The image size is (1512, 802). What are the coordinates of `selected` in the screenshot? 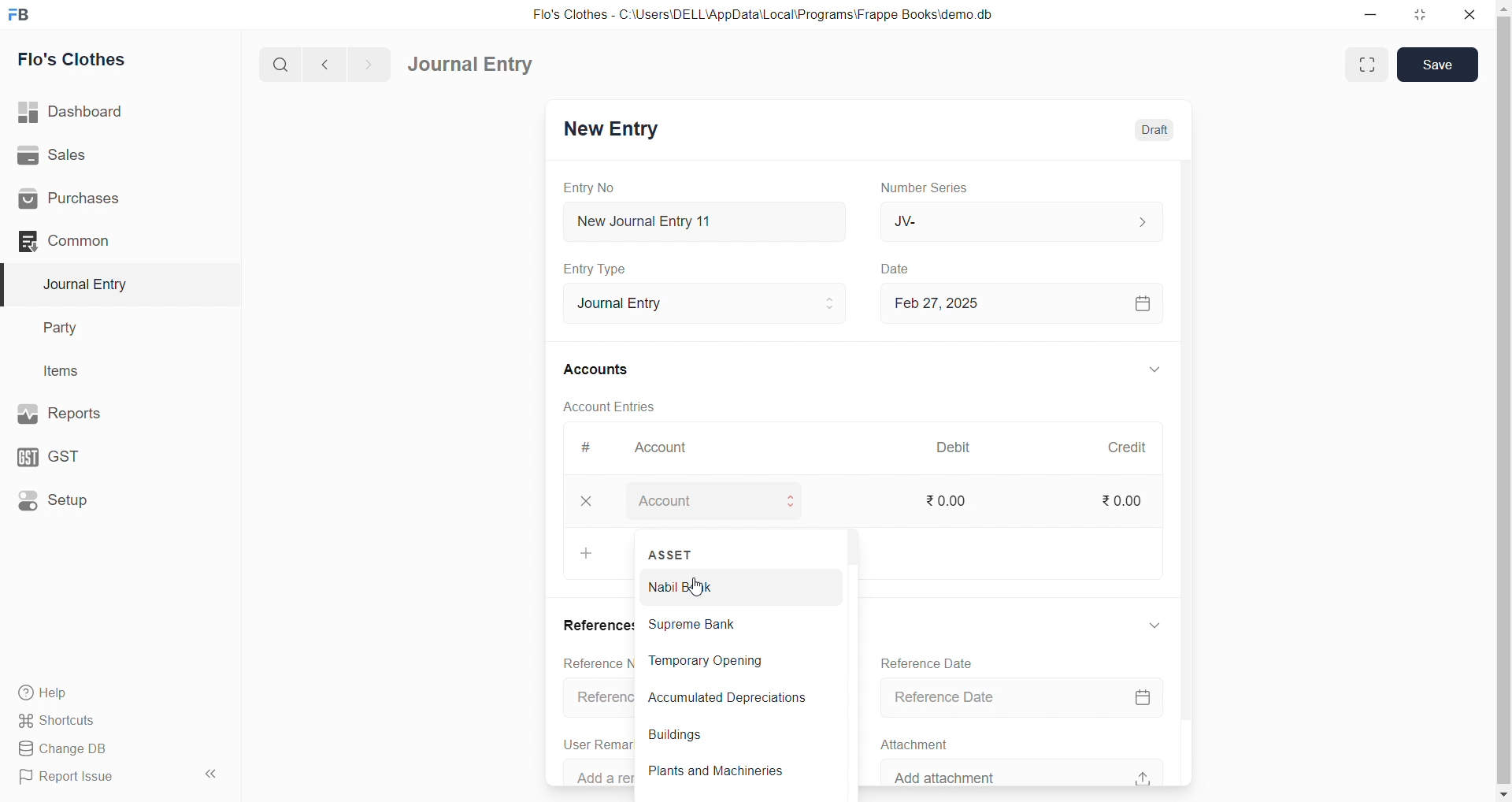 It's located at (9, 284).